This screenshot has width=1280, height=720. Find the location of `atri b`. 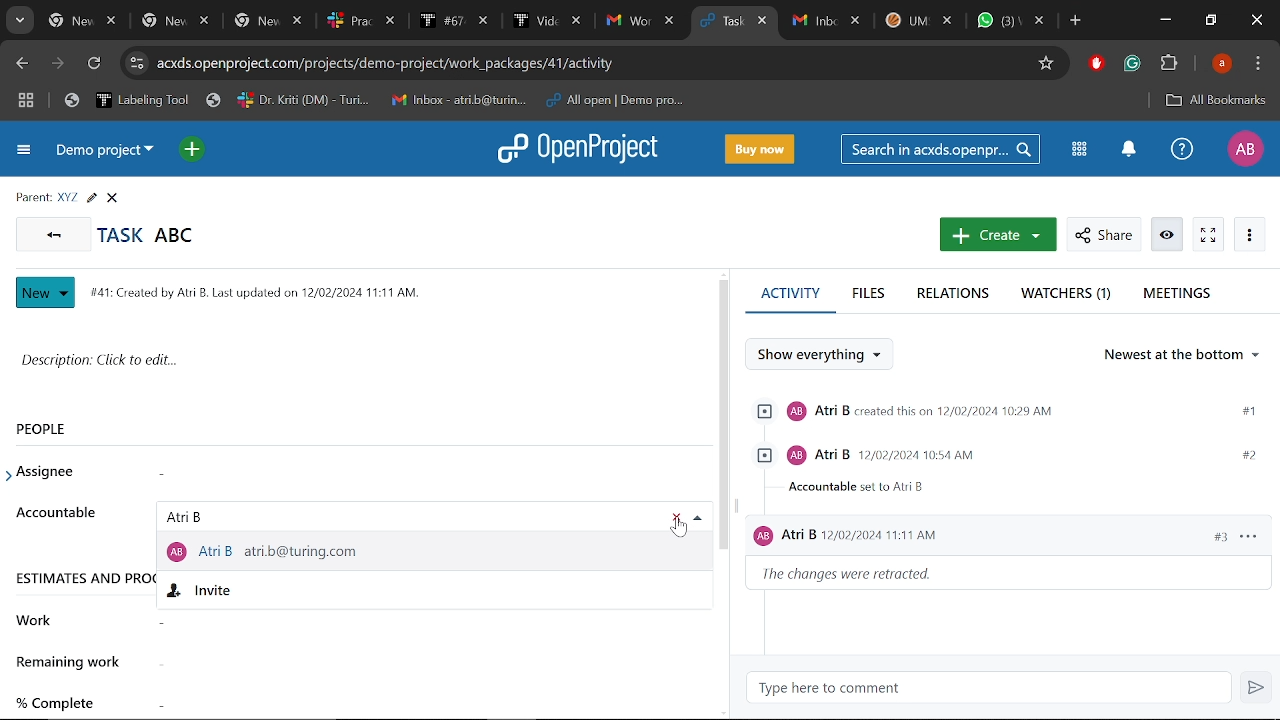

atri b is located at coordinates (194, 517).